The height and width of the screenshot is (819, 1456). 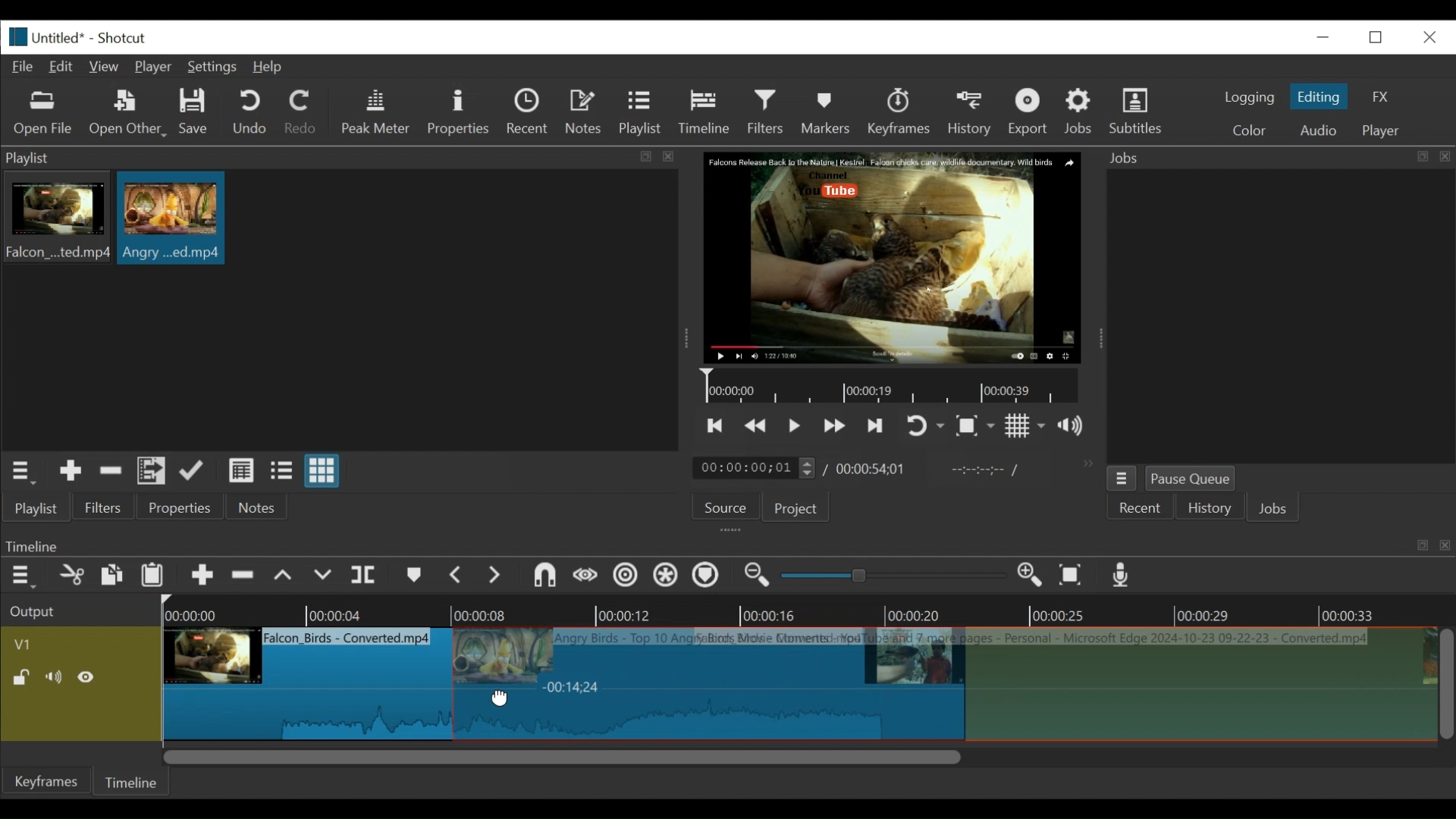 I want to click on (un)lock track, so click(x=21, y=677).